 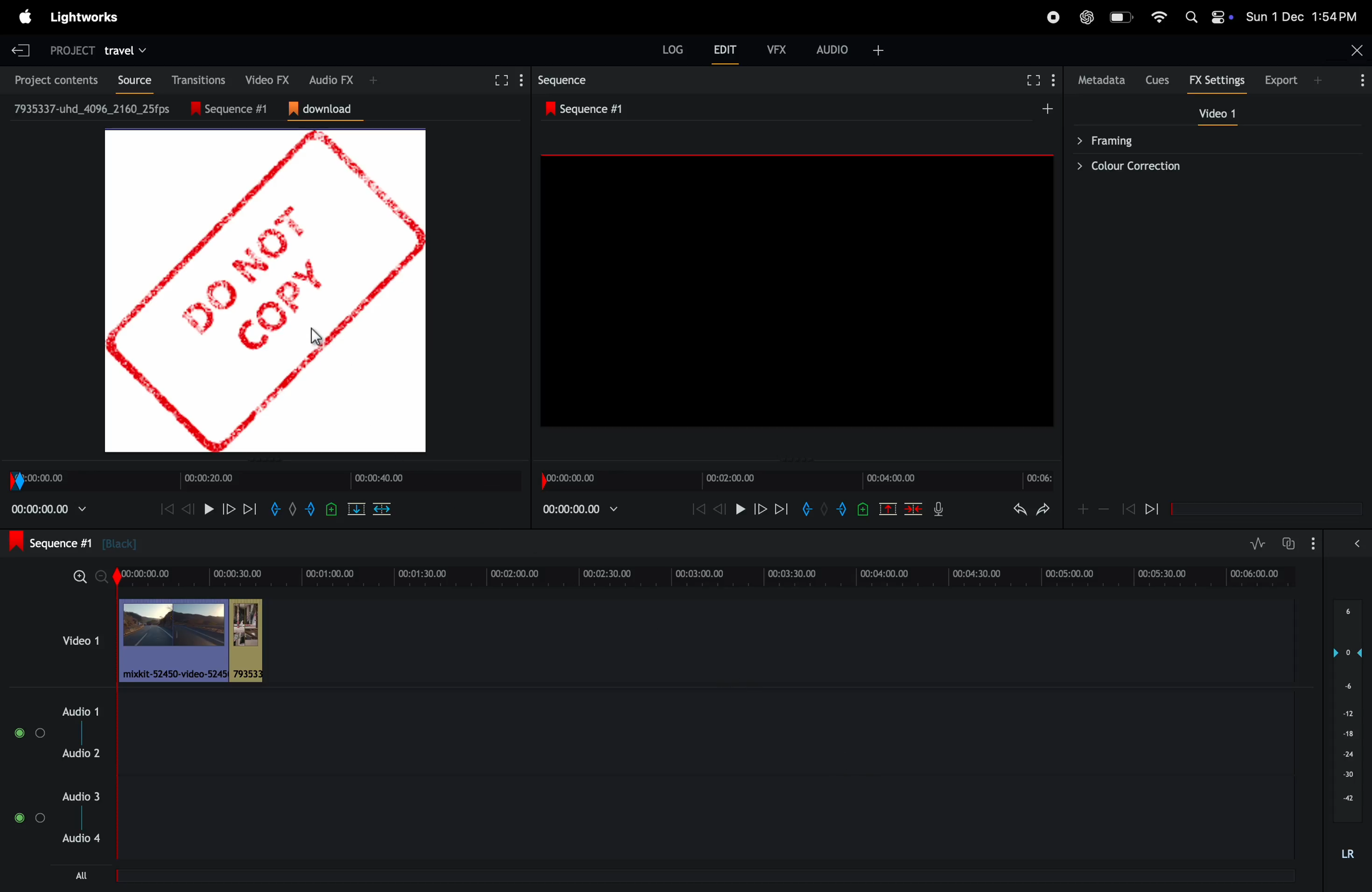 What do you see at coordinates (317, 337) in the screenshot?
I see `Cursor` at bounding box center [317, 337].